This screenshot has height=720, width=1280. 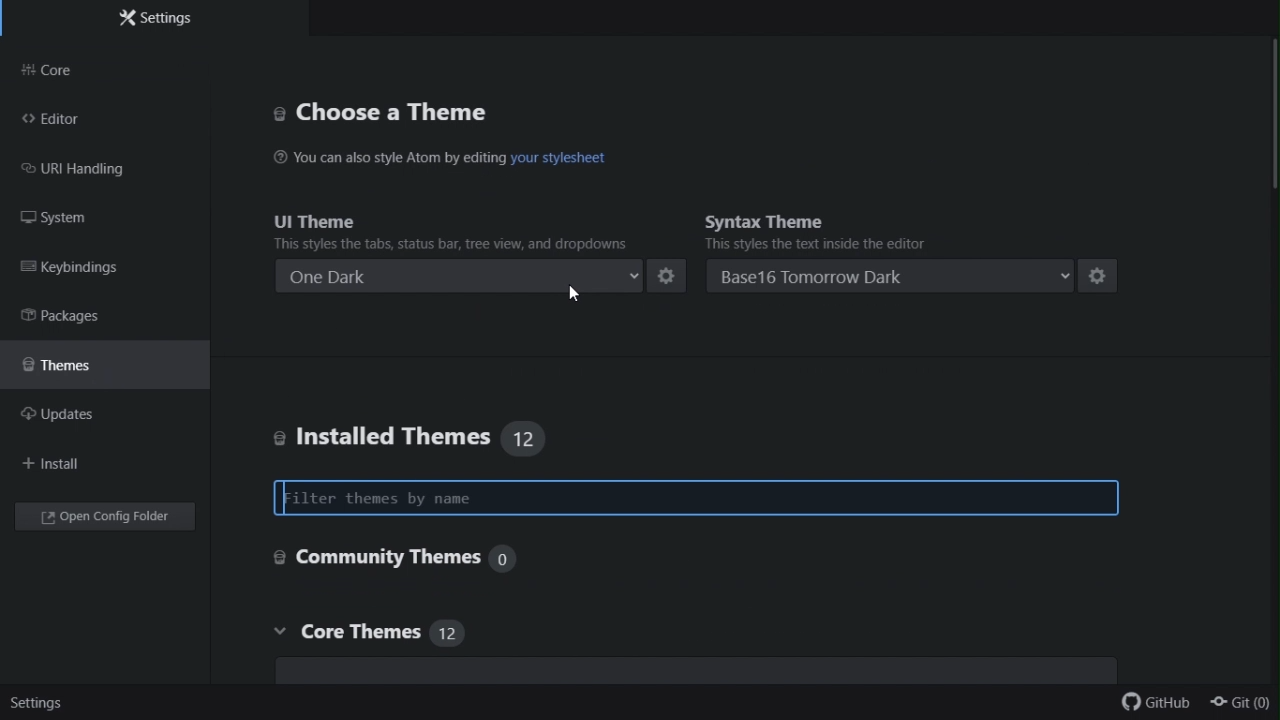 What do you see at coordinates (109, 519) in the screenshot?
I see `Open config folder` at bounding box center [109, 519].